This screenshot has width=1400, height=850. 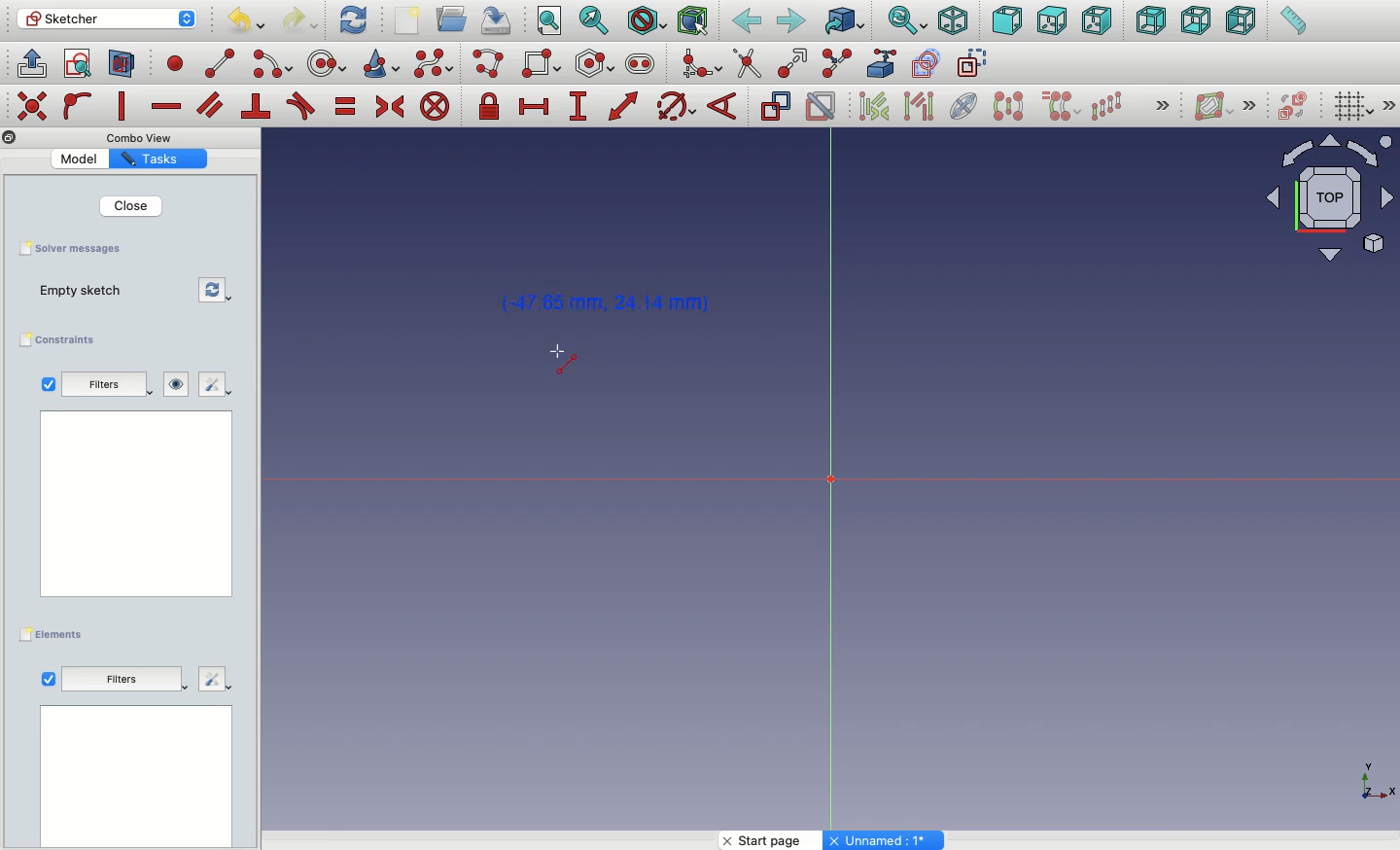 What do you see at coordinates (409, 20) in the screenshot?
I see `New` at bounding box center [409, 20].